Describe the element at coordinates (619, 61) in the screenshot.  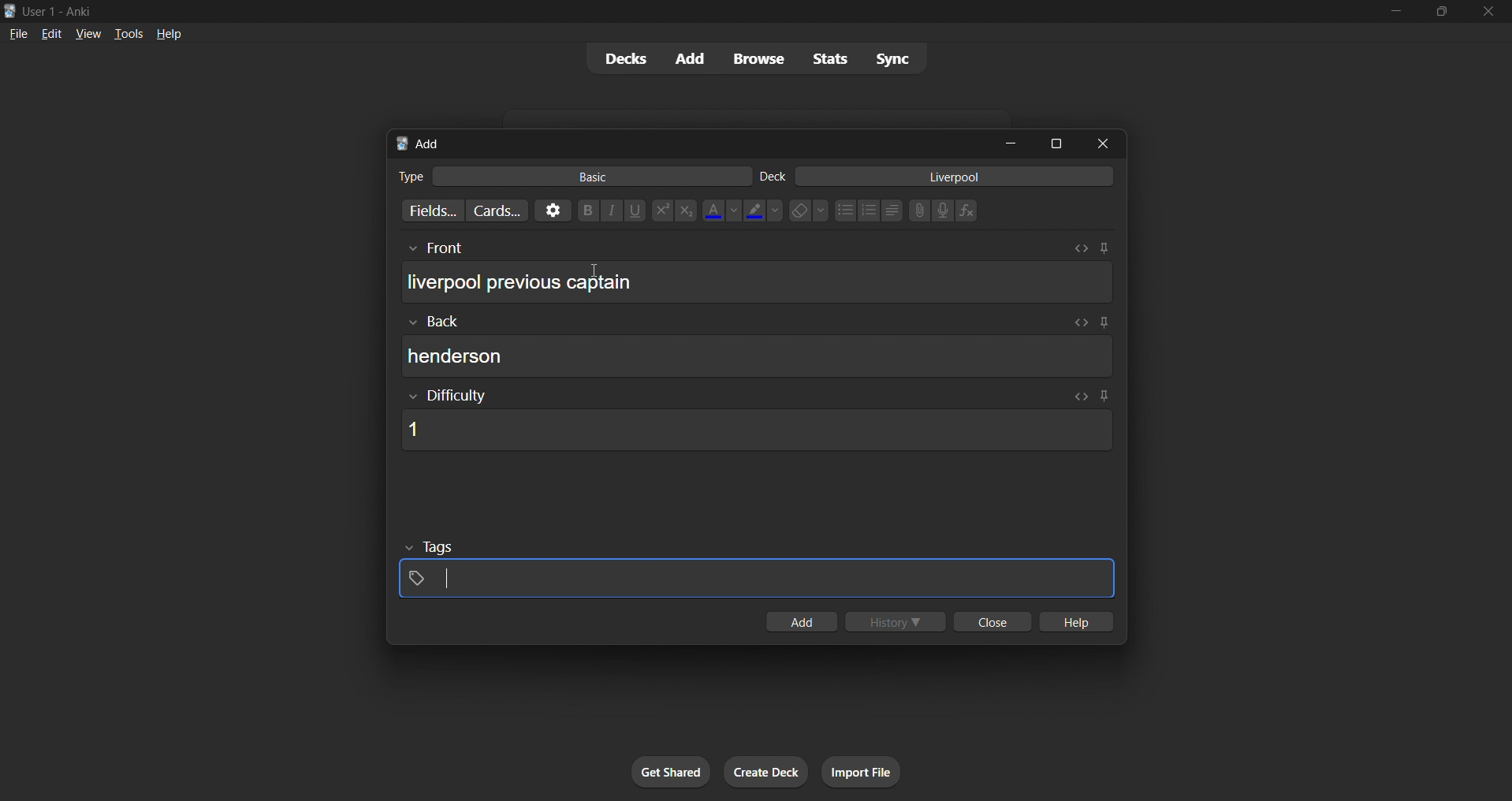
I see `decks` at that location.